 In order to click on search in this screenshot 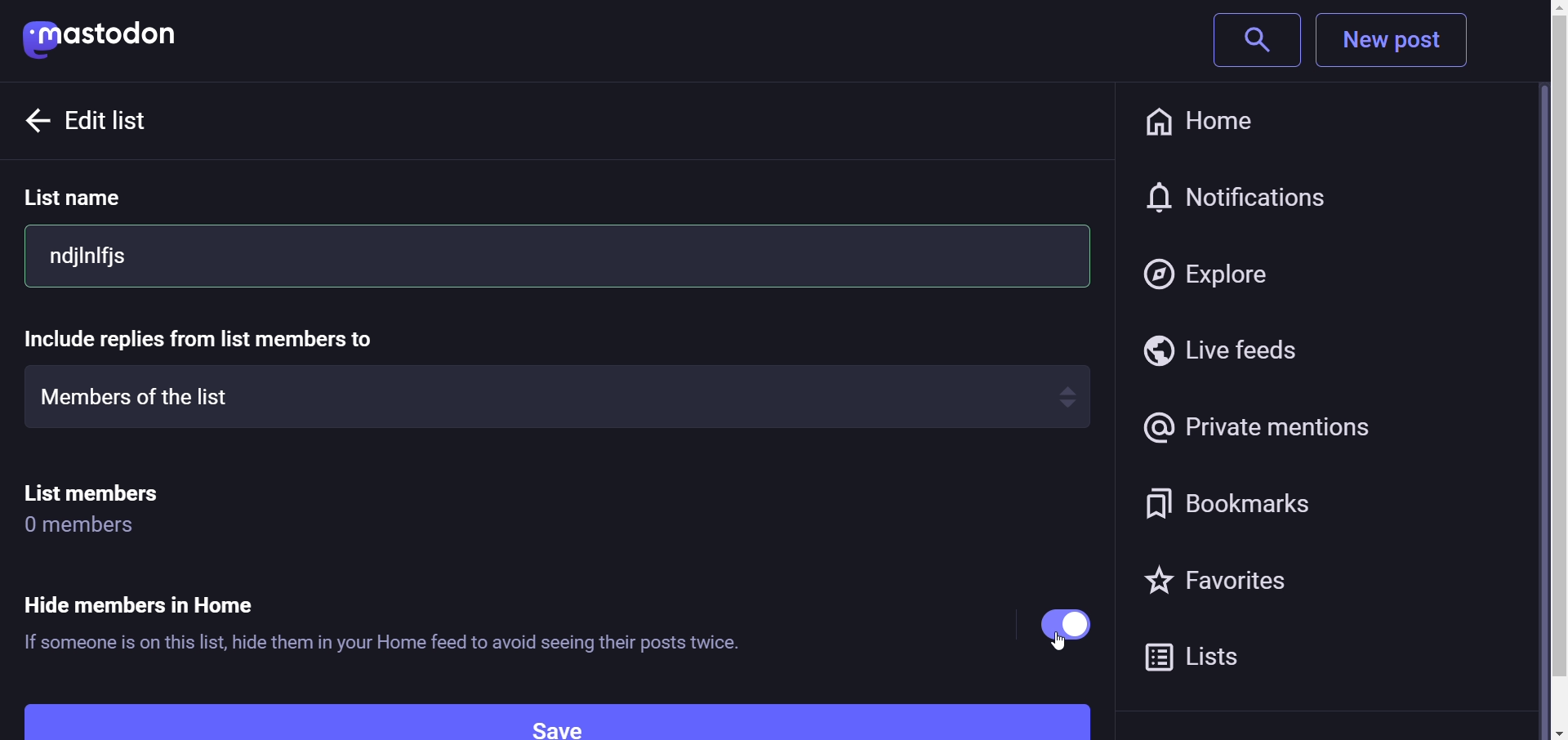, I will do `click(1248, 40)`.